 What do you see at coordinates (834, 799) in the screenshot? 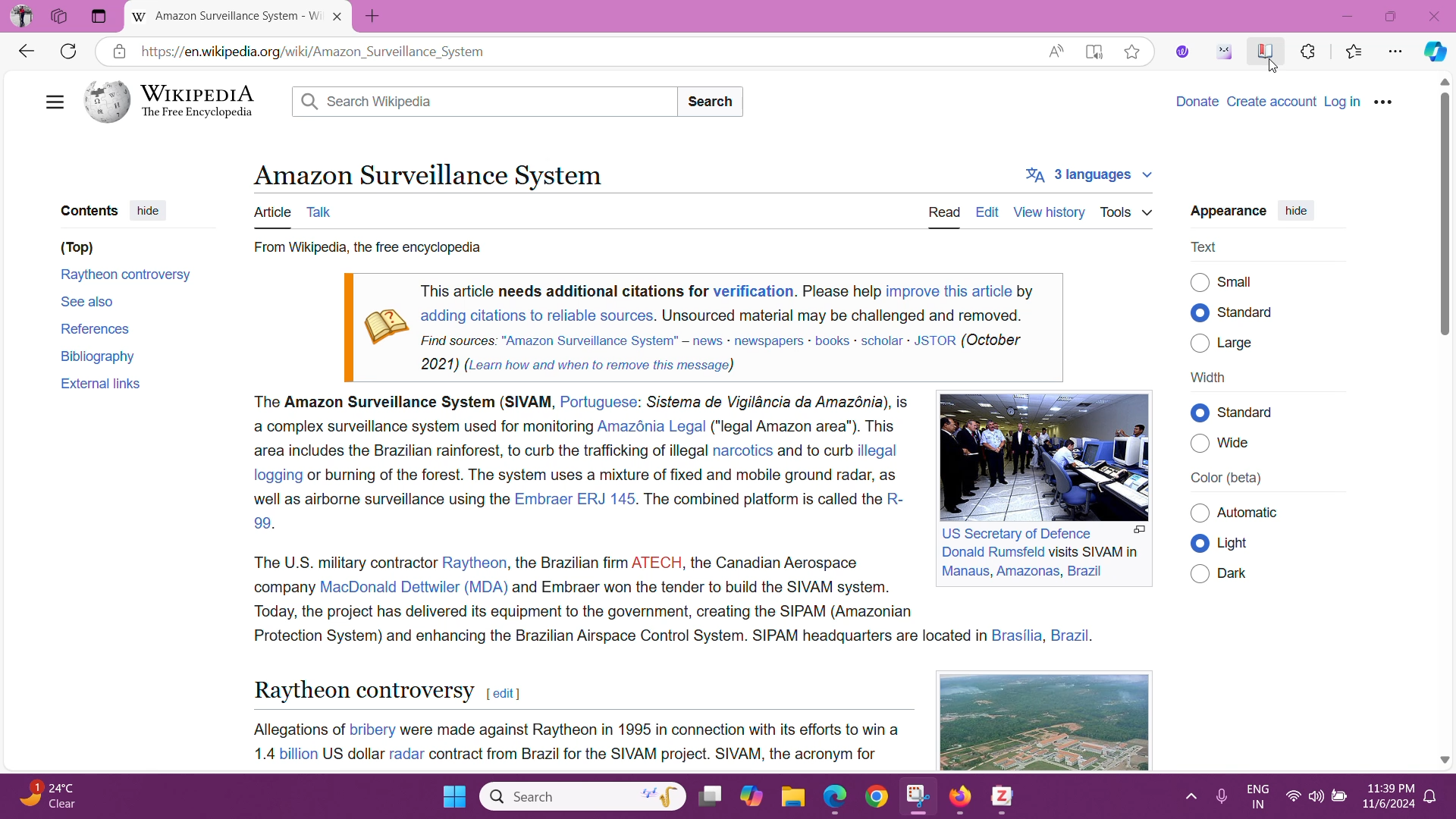
I see `edge` at bounding box center [834, 799].